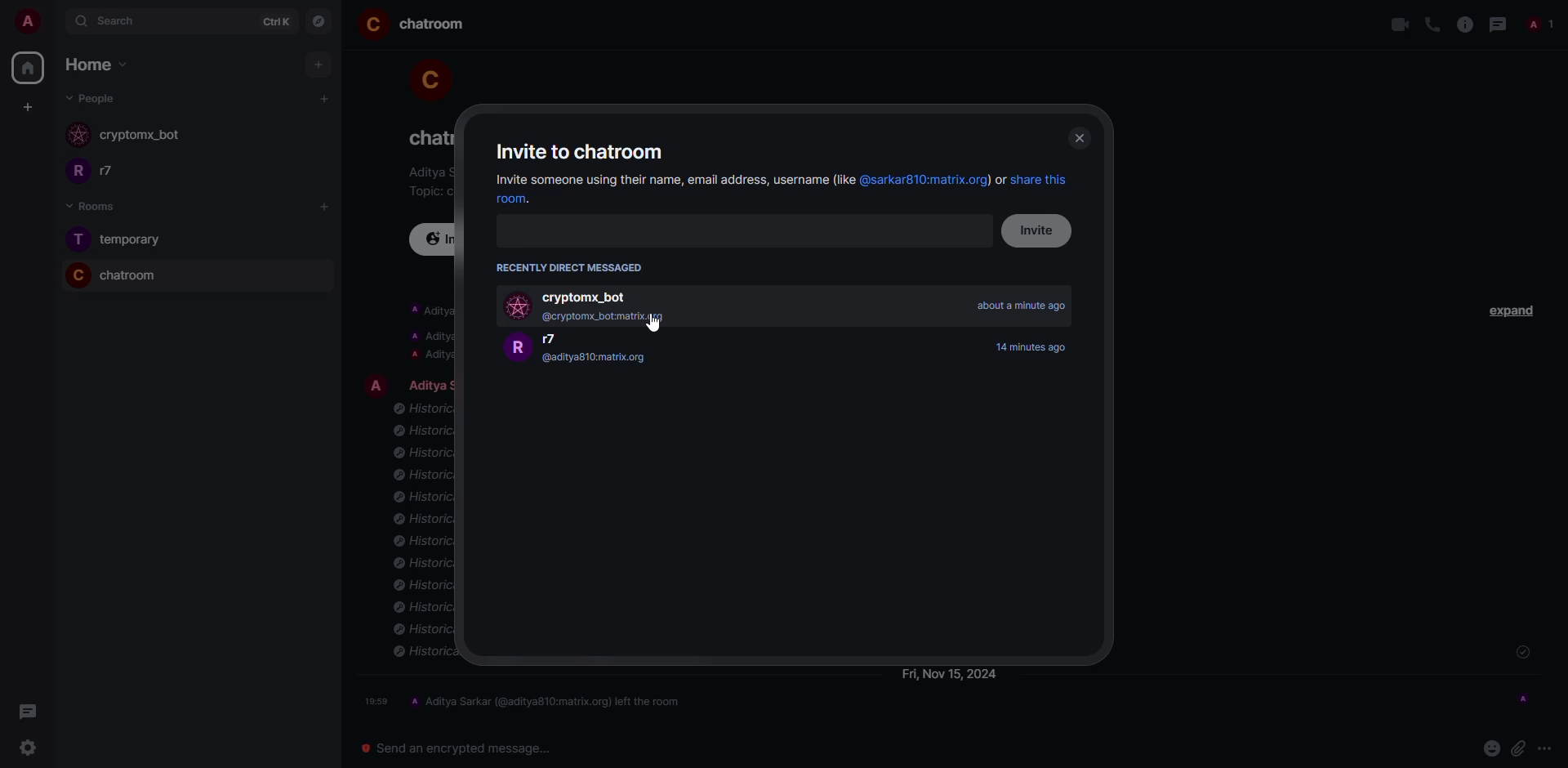 This screenshot has width=1568, height=768. I want to click on hyperlinks, so click(965, 181).